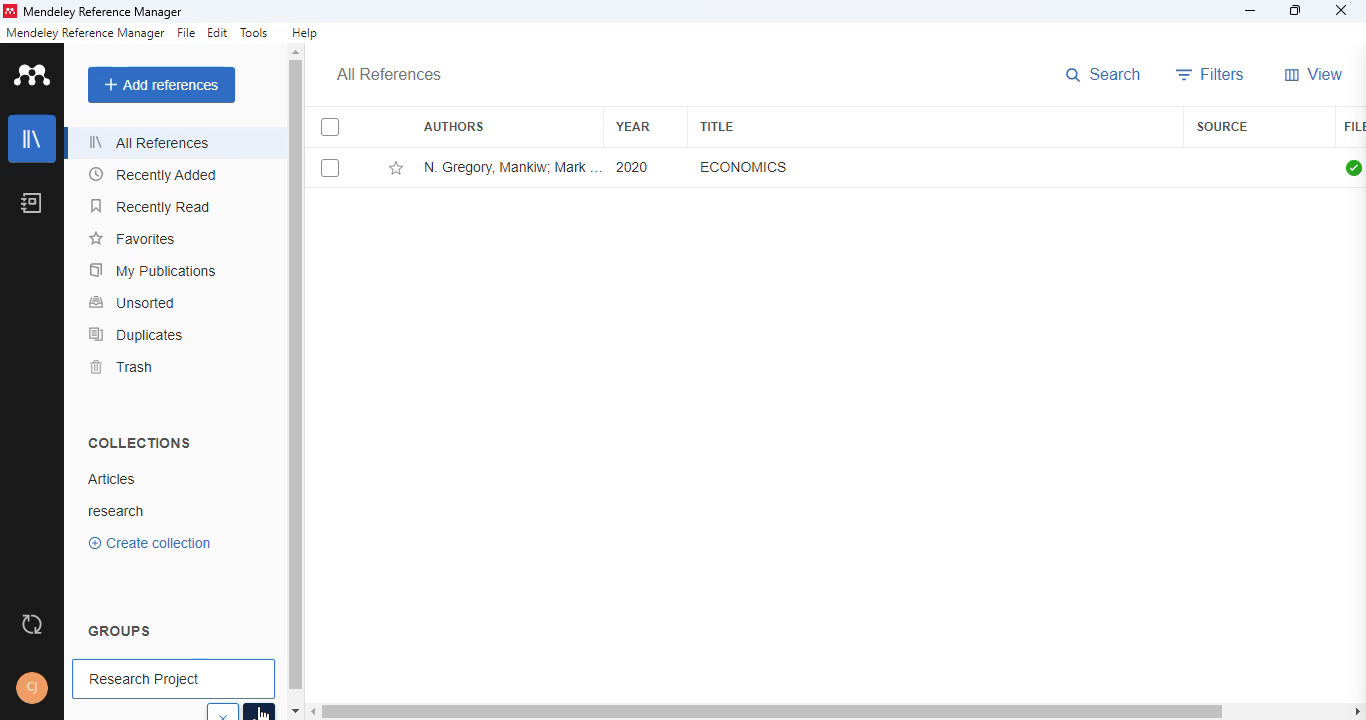  What do you see at coordinates (33, 625) in the screenshot?
I see `sync` at bounding box center [33, 625].